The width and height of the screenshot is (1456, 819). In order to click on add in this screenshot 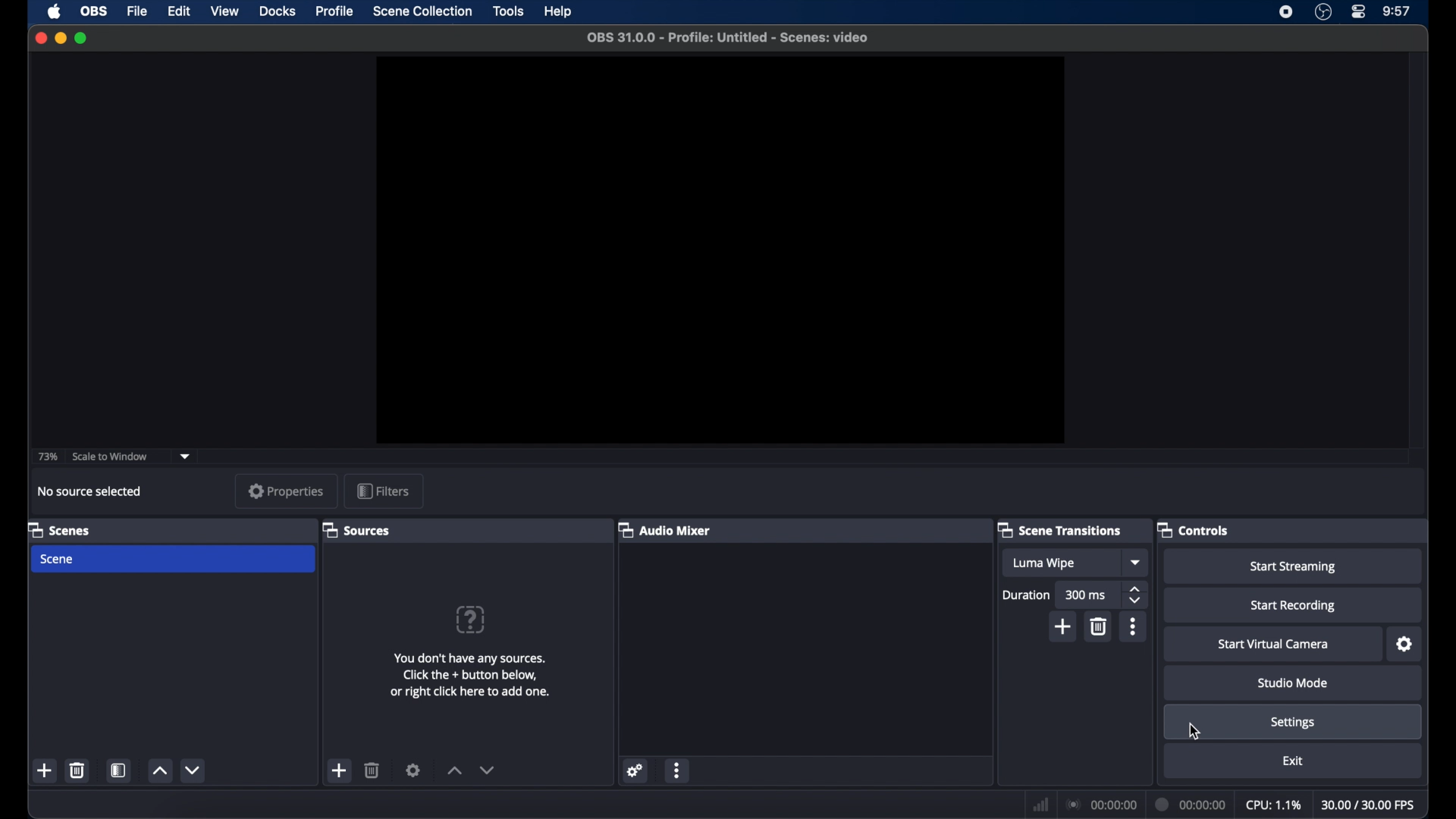, I will do `click(340, 770)`.